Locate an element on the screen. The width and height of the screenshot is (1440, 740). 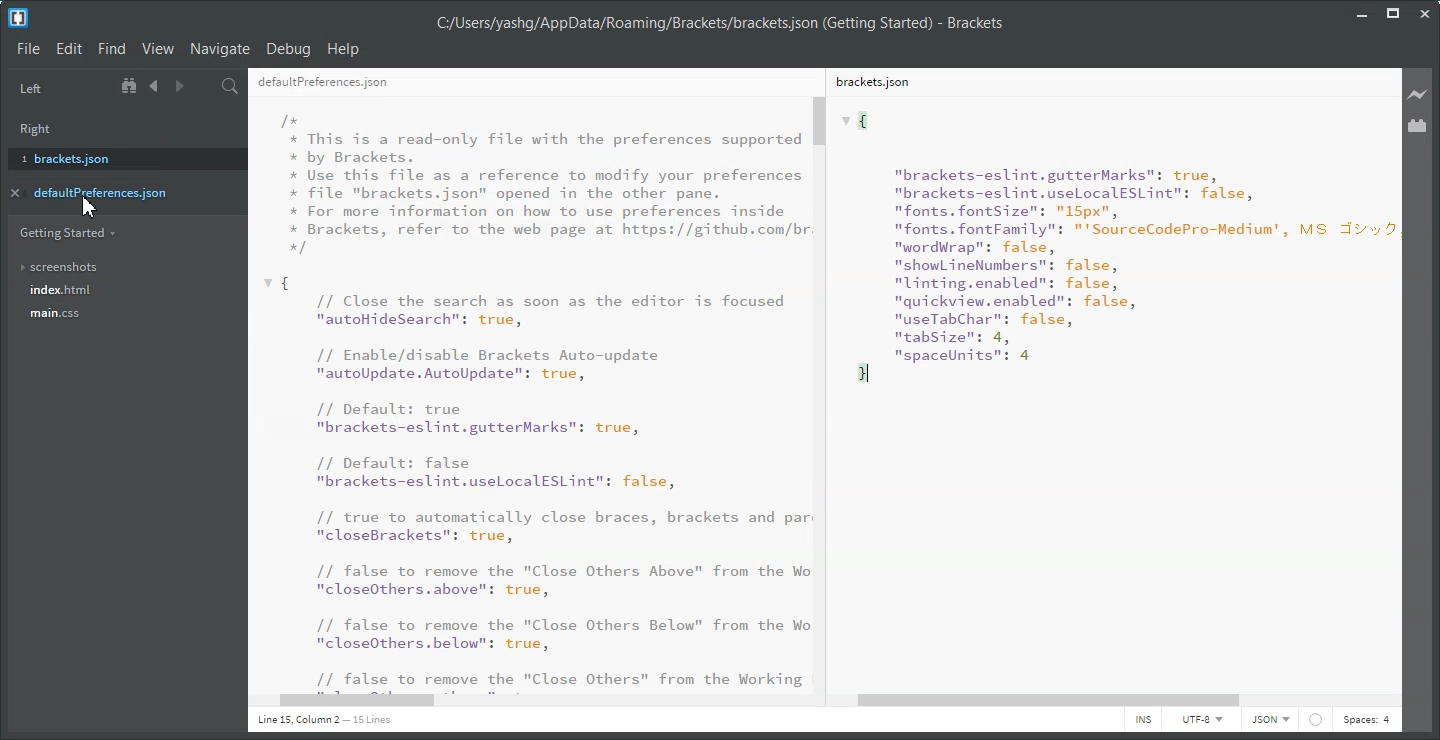
View is located at coordinates (157, 49).